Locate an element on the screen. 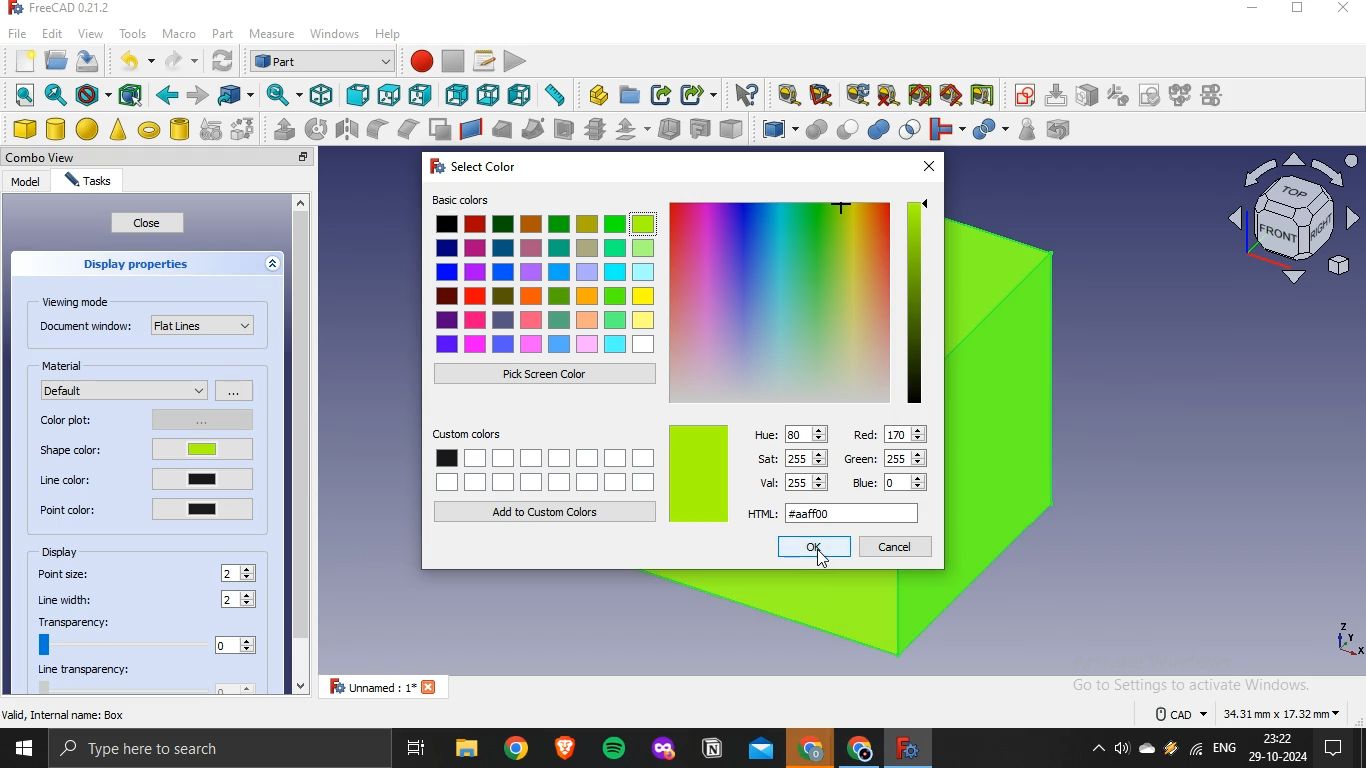 The height and width of the screenshot is (768, 1366). shape builder is located at coordinates (243, 128).